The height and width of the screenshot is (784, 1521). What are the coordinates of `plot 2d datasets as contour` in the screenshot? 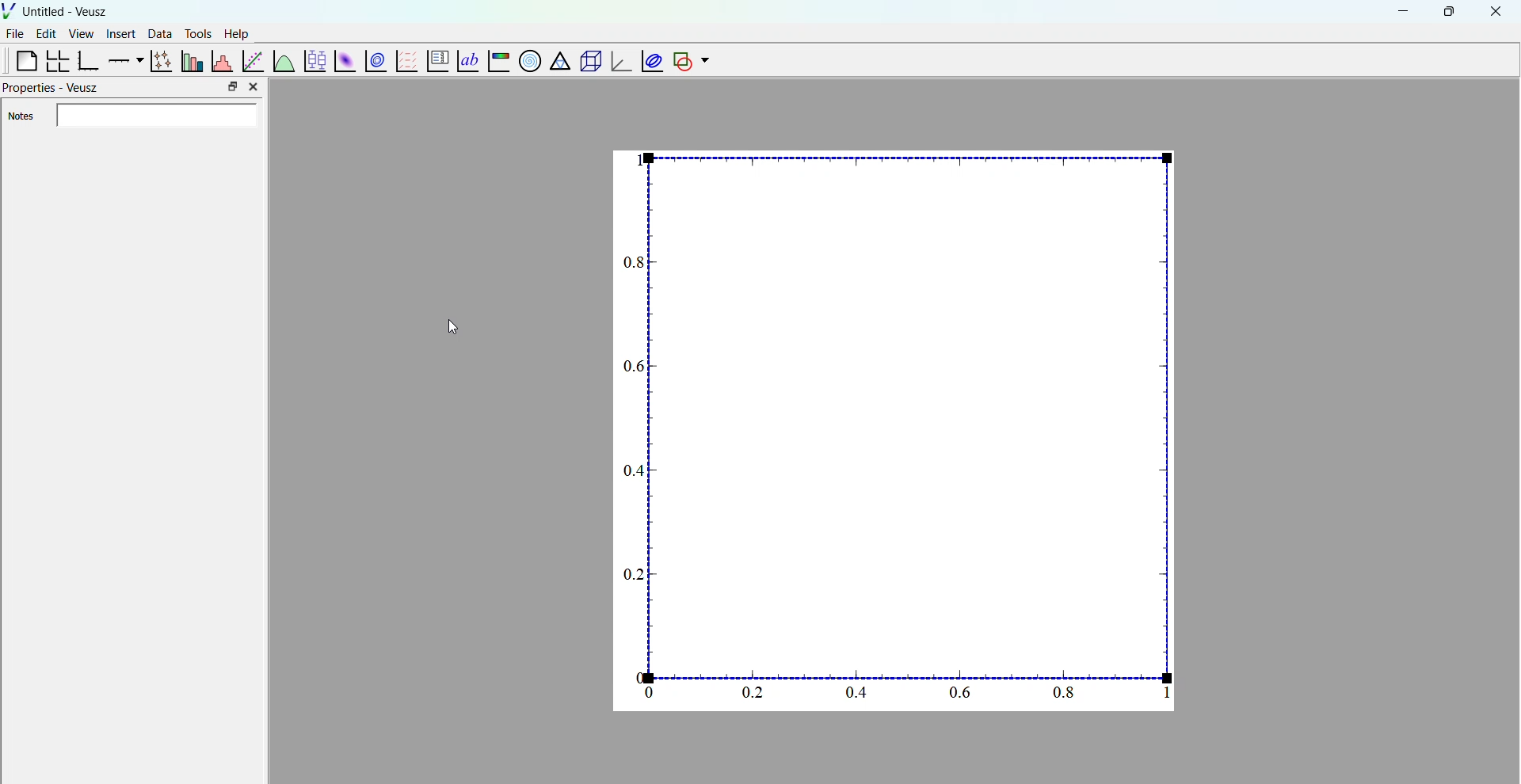 It's located at (376, 62).